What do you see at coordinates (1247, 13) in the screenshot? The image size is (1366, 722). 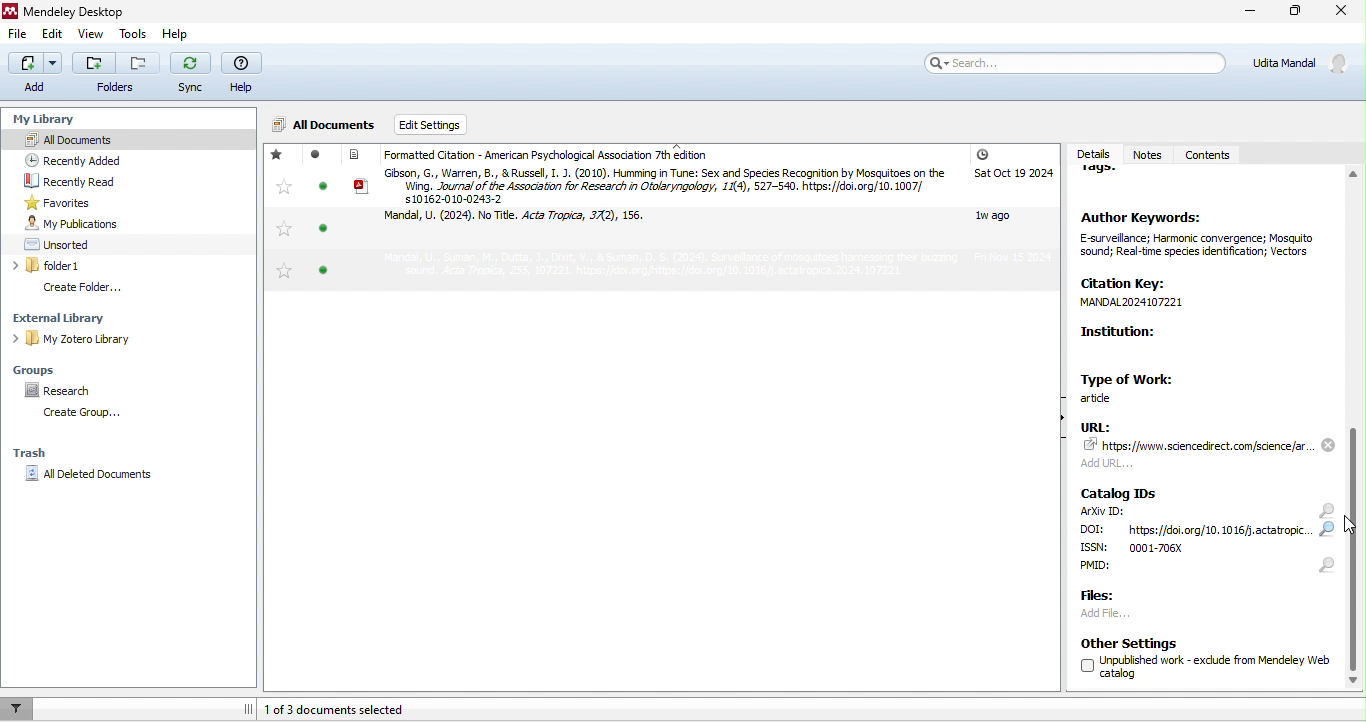 I see `minimize` at bounding box center [1247, 13].